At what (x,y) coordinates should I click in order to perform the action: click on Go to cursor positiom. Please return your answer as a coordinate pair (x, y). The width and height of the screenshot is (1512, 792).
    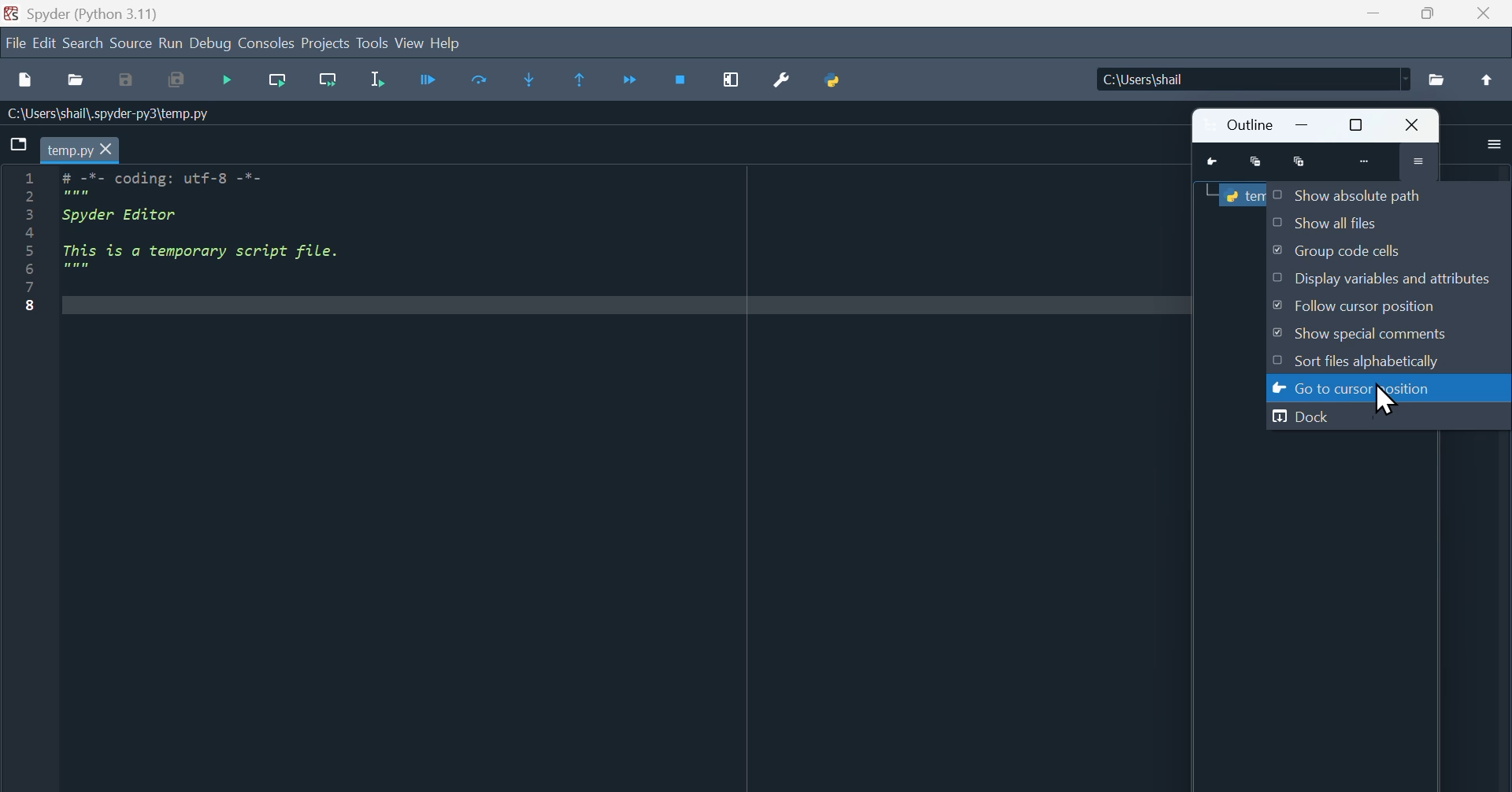
    Looking at the image, I should click on (1359, 388).